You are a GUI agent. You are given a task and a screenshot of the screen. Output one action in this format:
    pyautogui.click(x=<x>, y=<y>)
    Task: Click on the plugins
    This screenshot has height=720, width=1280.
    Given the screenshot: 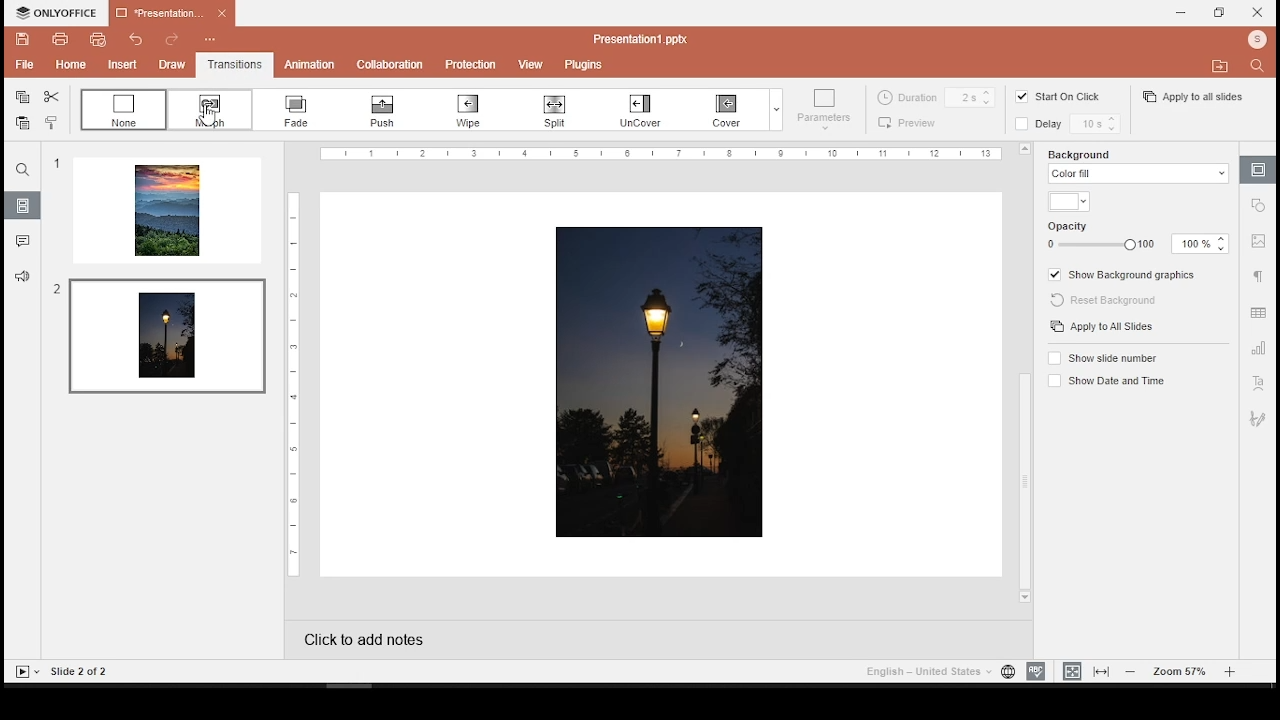 What is the action you would take?
    pyautogui.click(x=582, y=64)
    